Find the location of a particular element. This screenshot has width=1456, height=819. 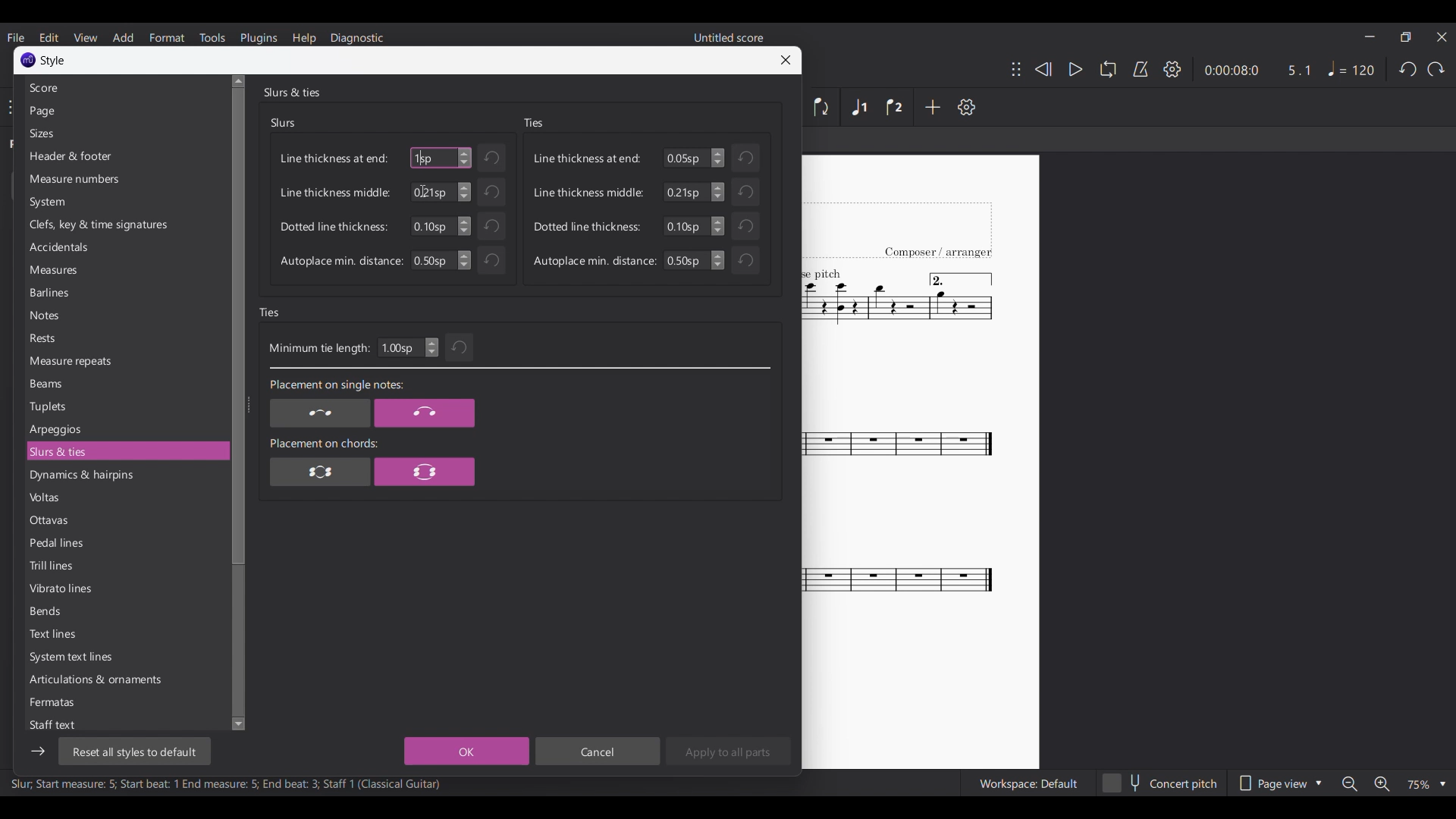

Increase/Decrease Line thickness at end is located at coordinates (717, 158).